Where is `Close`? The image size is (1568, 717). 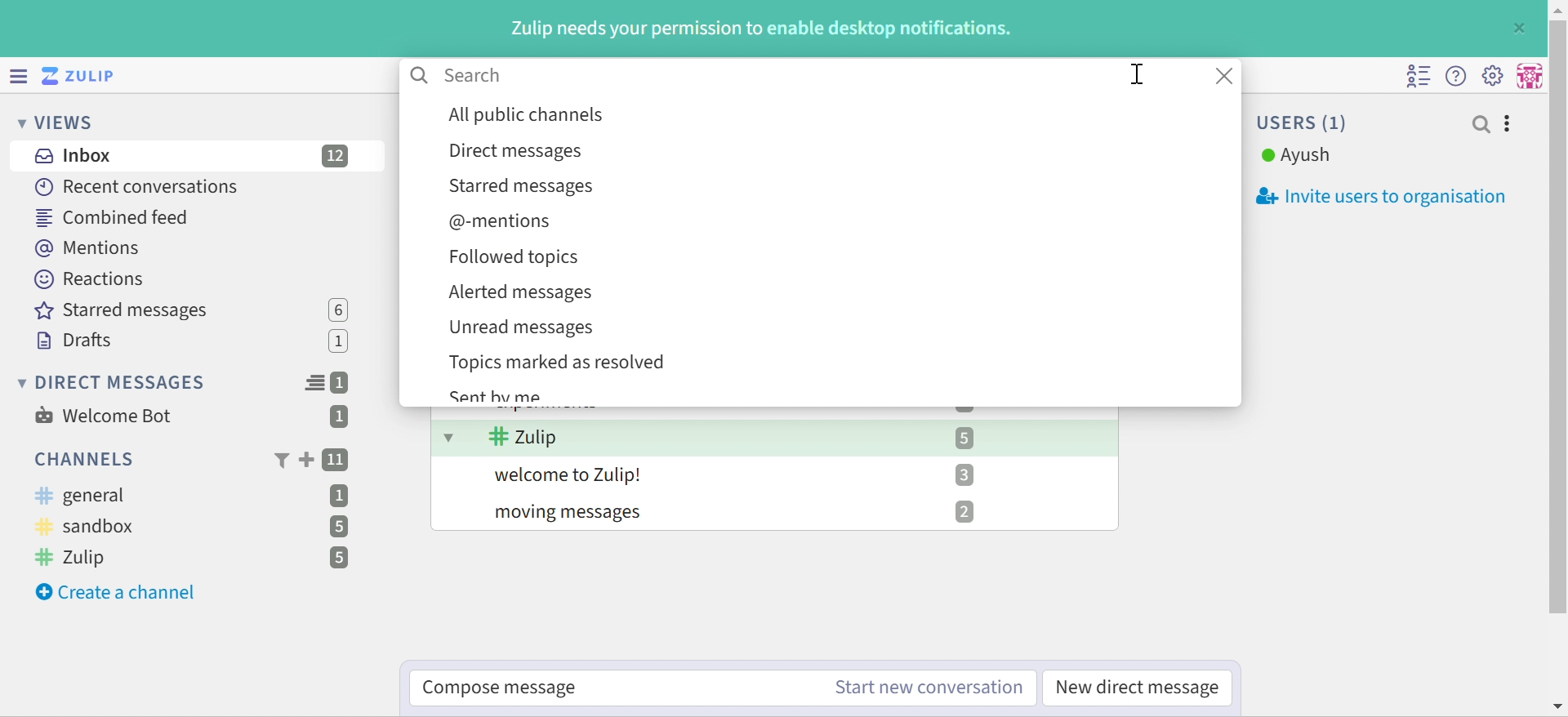 Close is located at coordinates (1227, 76).